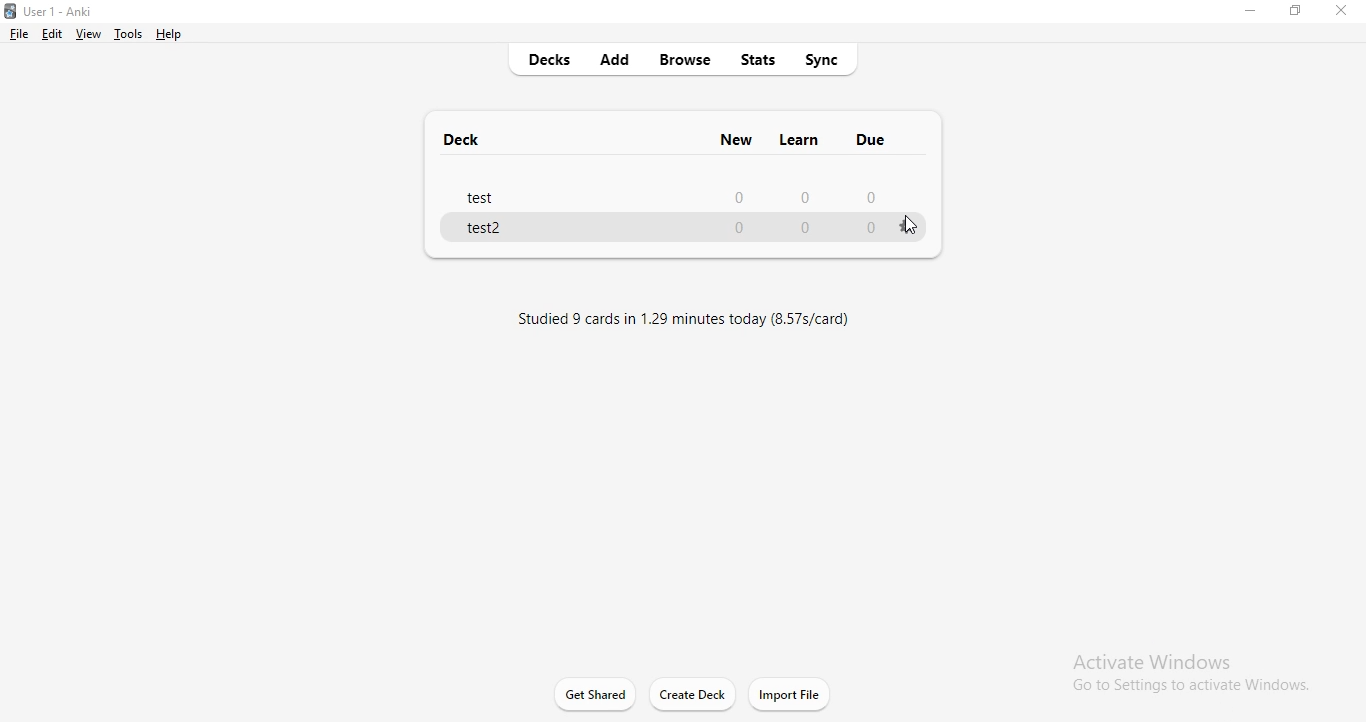 This screenshot has width=1366, height=722. I want to click on 0, so click(872, 229).